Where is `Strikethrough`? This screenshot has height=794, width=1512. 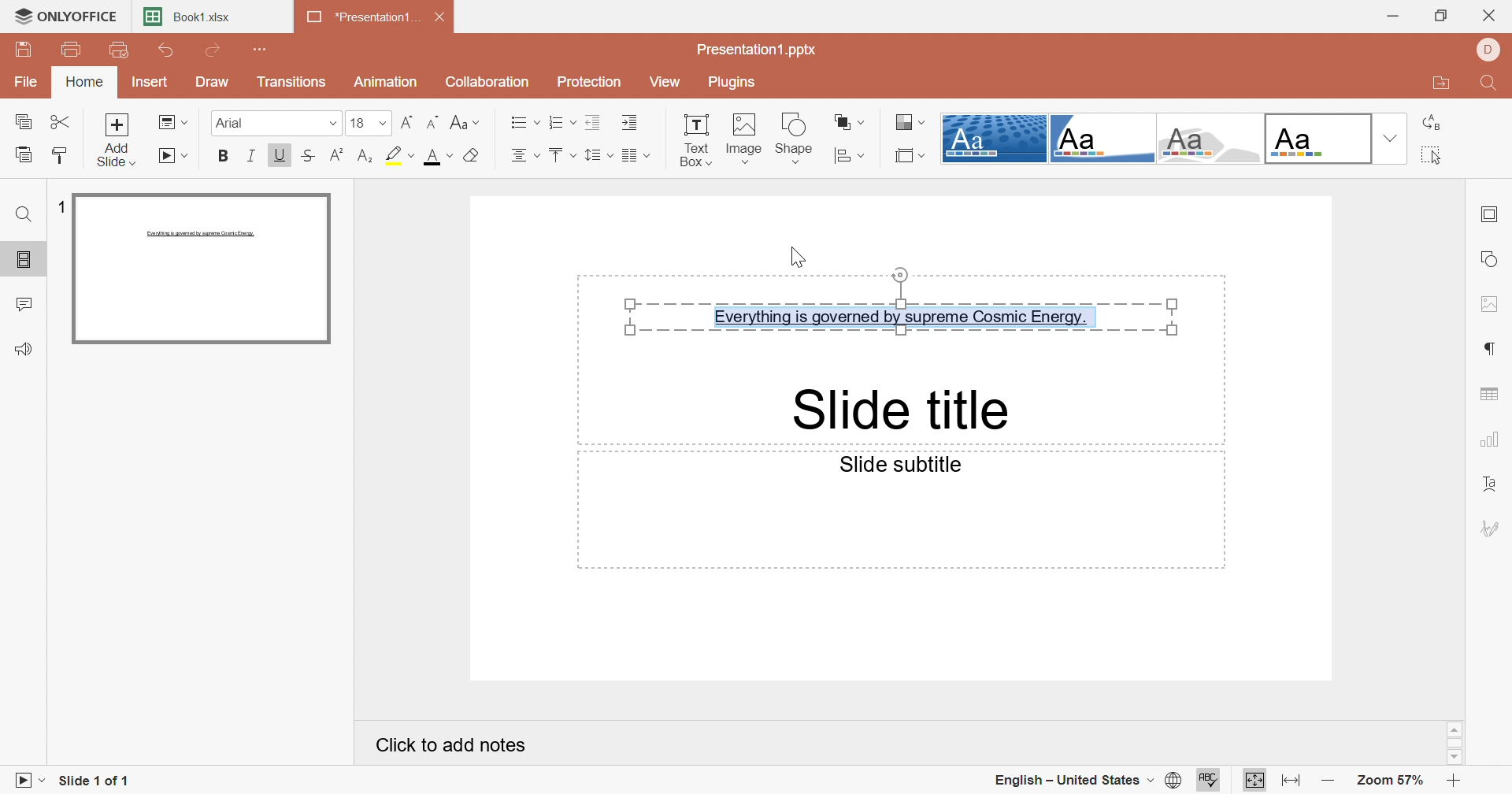 Strikethrough is located at coordinates (308, 154).